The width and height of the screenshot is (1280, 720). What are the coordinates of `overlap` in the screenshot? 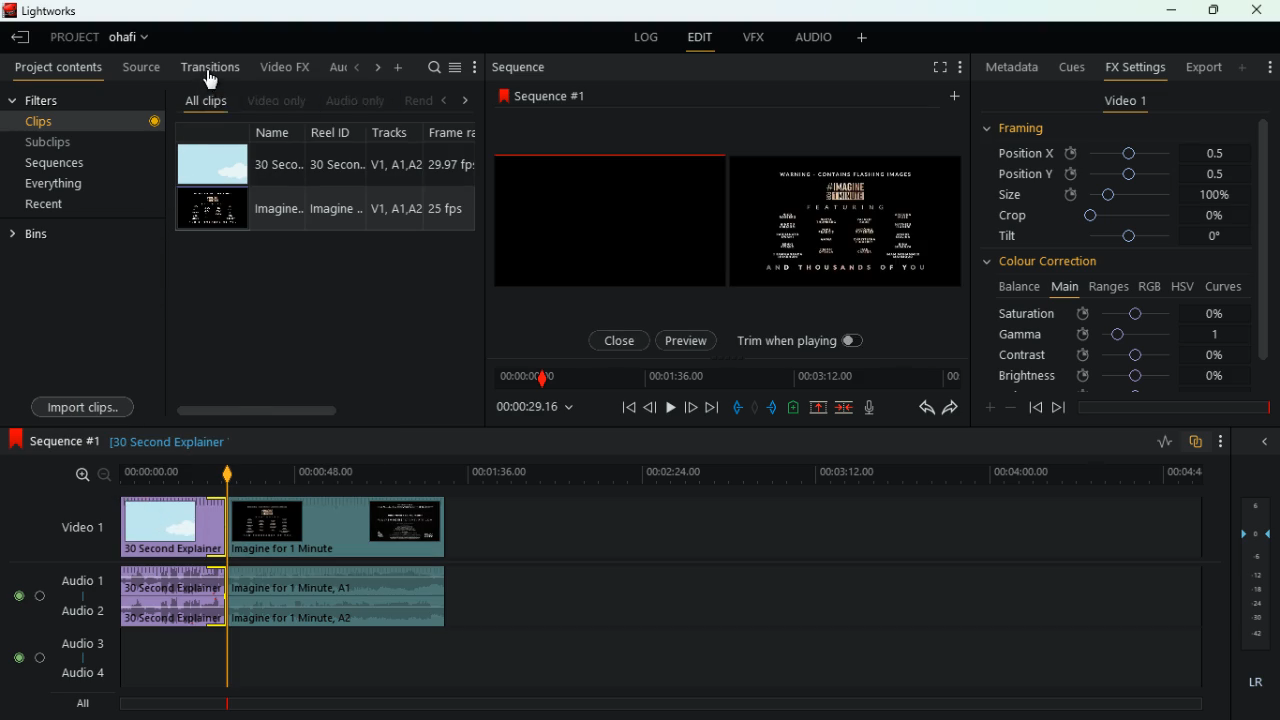 It's located at (1198, 442).